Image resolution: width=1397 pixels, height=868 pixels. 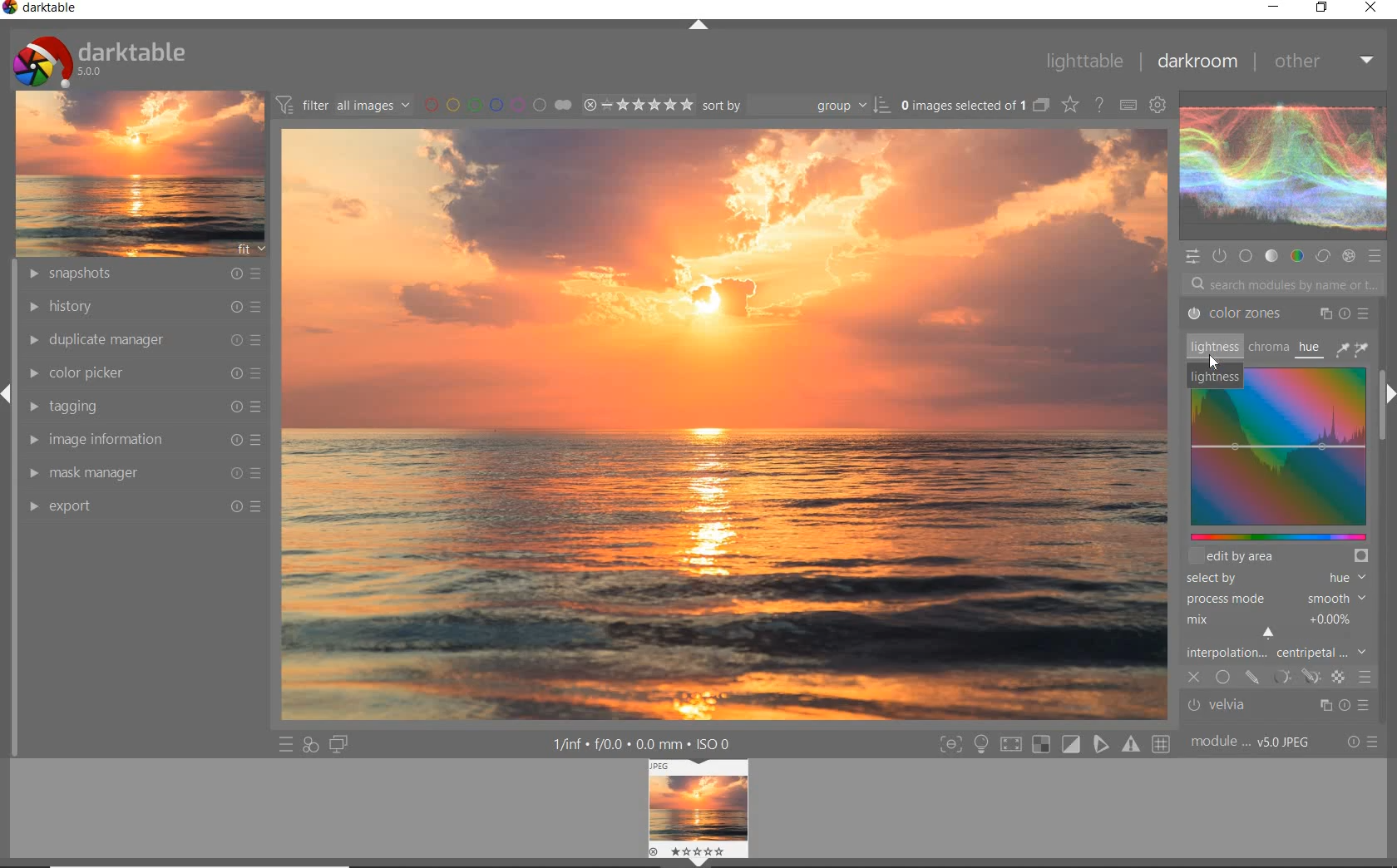 I want to click on DUPLICATE MANAGER, so click(x=141, y=338).